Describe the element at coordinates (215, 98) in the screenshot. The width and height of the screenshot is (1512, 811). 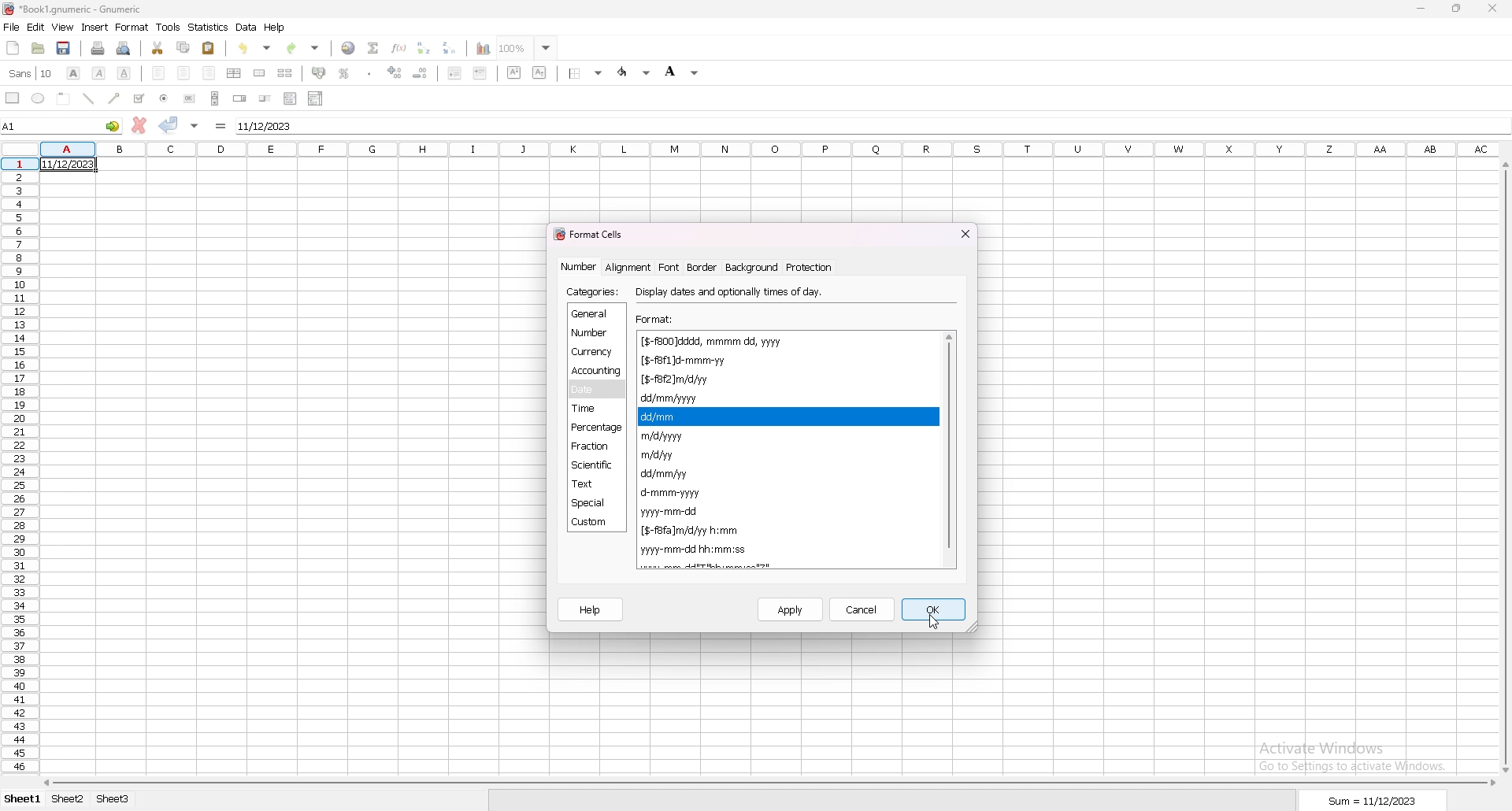
I see `scroll bar` at that location.